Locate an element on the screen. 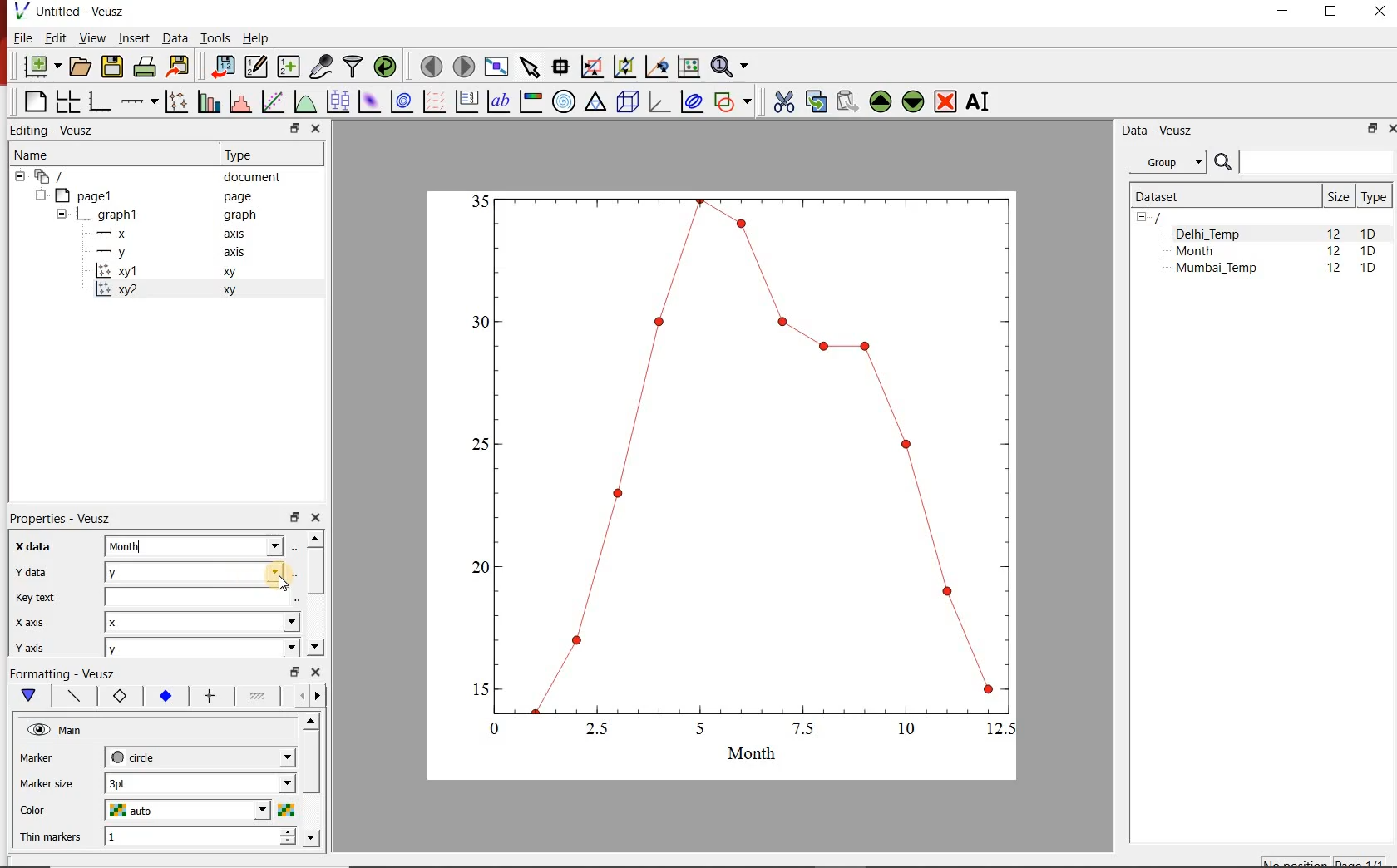  polar graph is located at coordinates (565, 103).